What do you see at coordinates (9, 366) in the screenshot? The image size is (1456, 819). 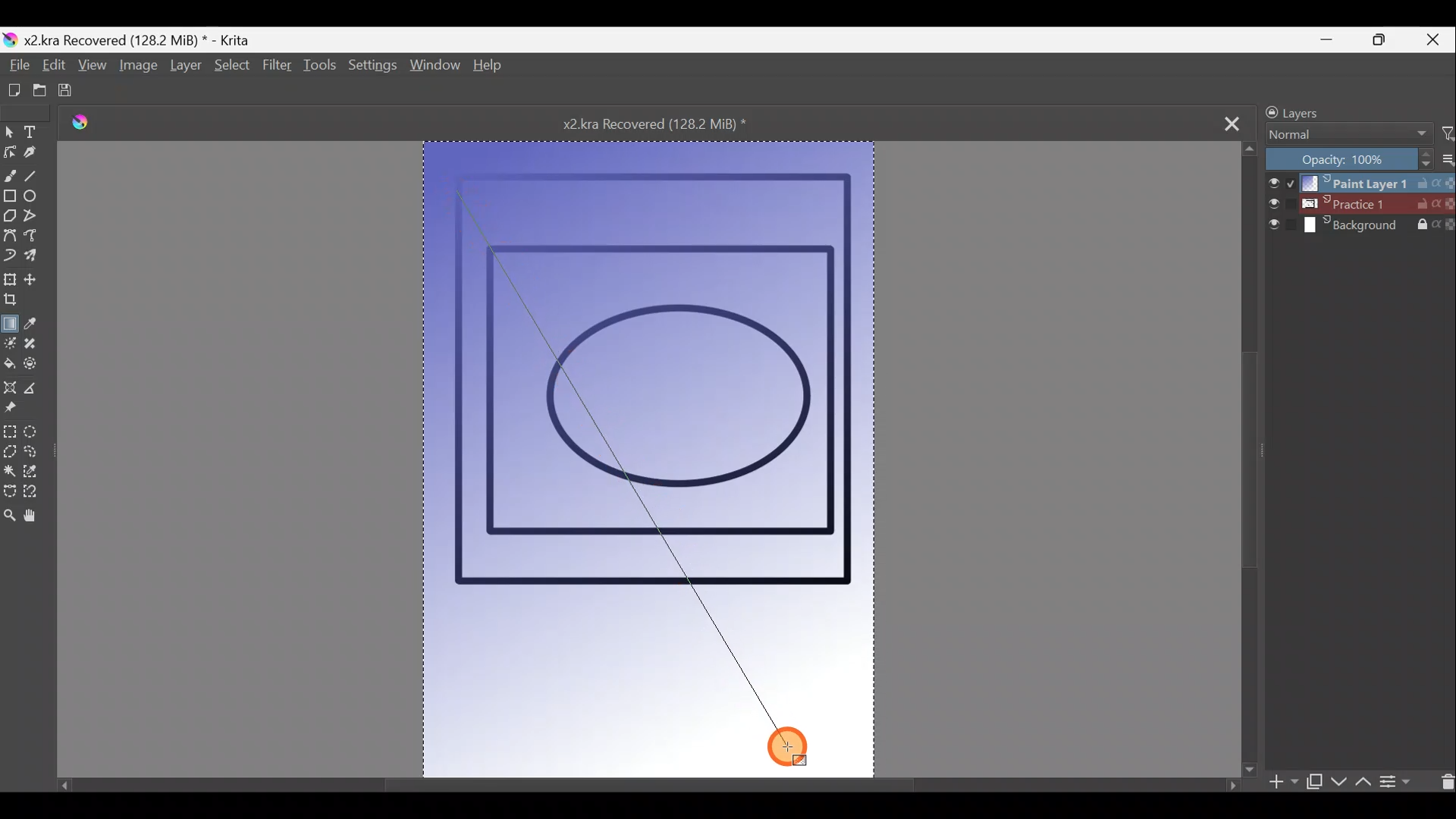 I see `Fill a contiguous area of colour with colour/fill a selection` at bounding box center [9, 366].